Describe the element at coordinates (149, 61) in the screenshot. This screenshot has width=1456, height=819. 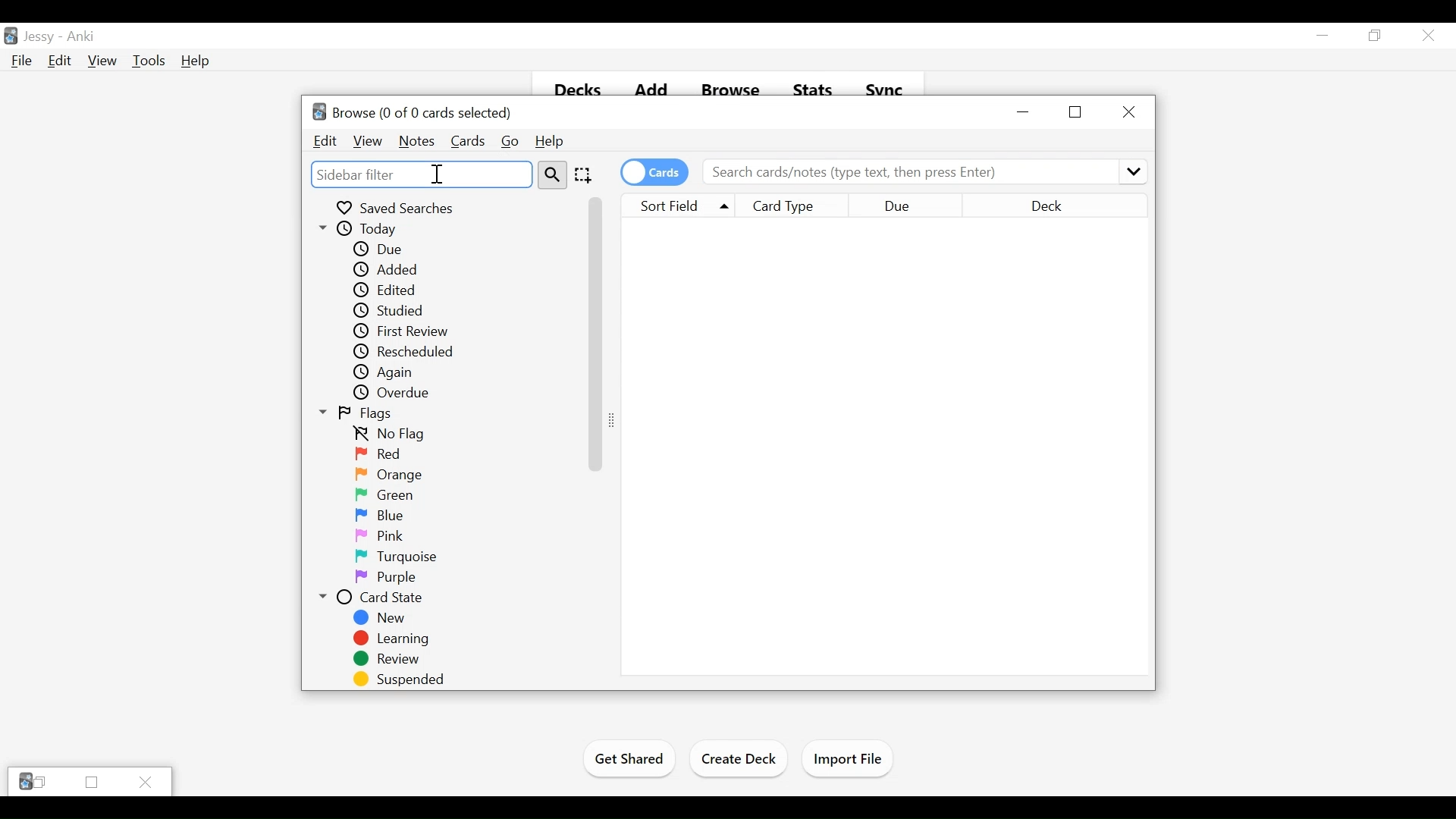
I see `Tools` at that location.